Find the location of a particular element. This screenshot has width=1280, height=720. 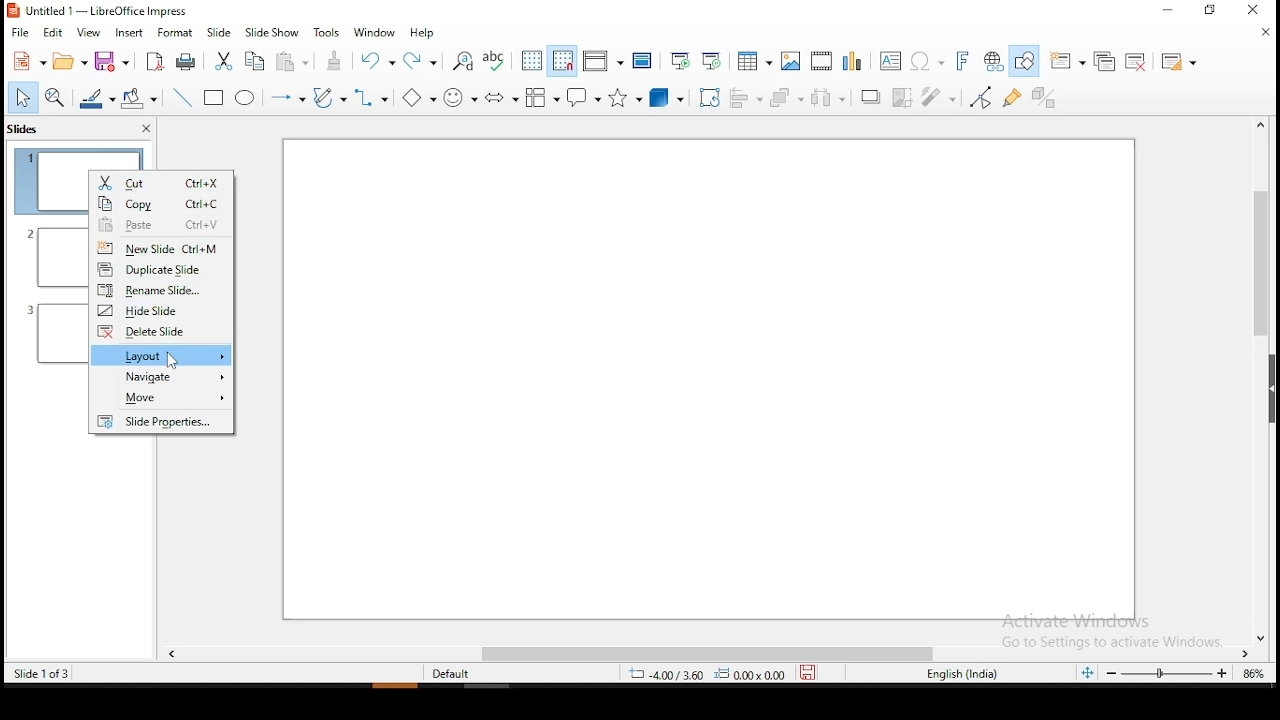

slide is located at coordinates (217, 33).